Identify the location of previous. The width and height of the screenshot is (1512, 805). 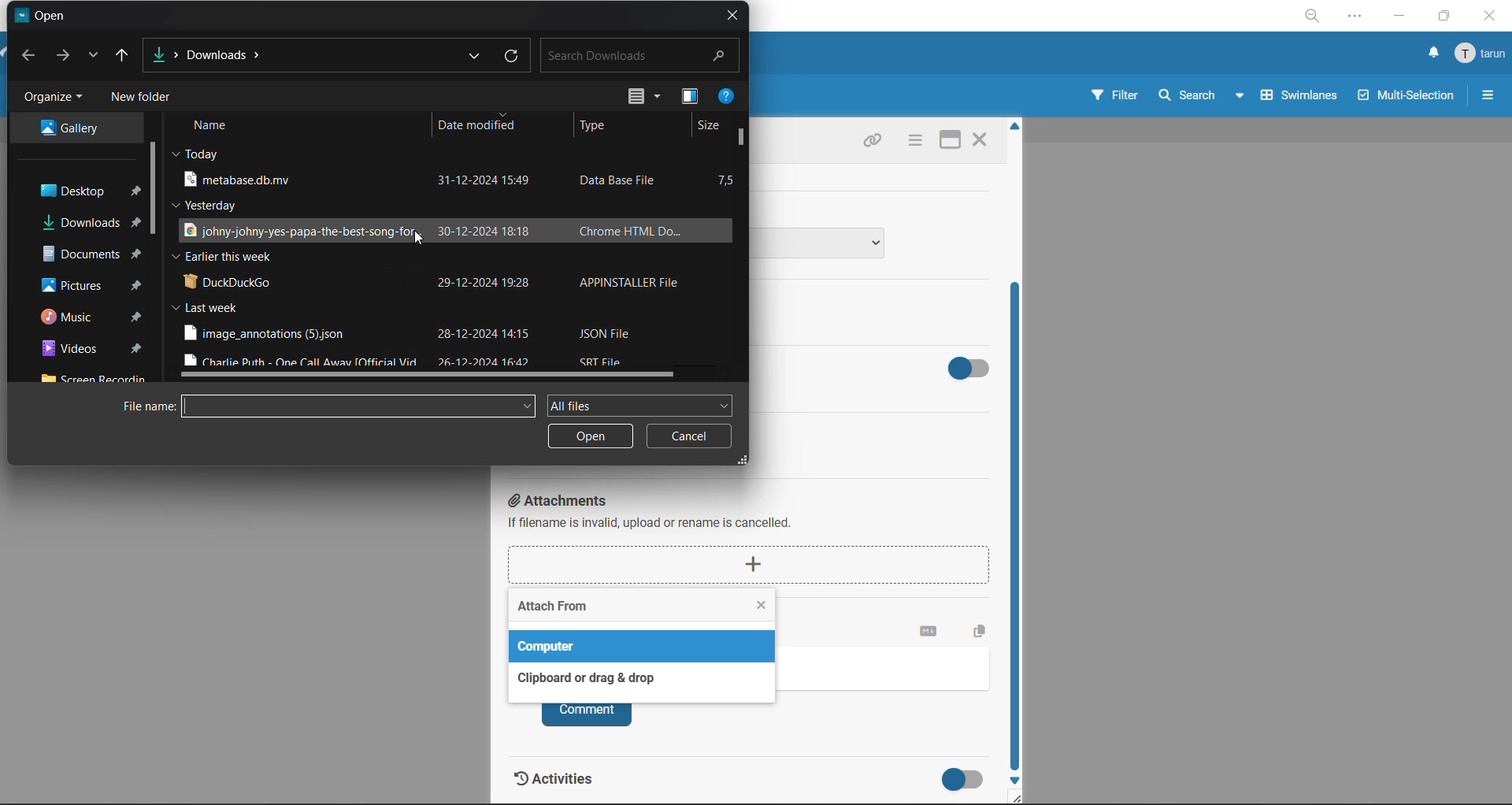
(31, 56).